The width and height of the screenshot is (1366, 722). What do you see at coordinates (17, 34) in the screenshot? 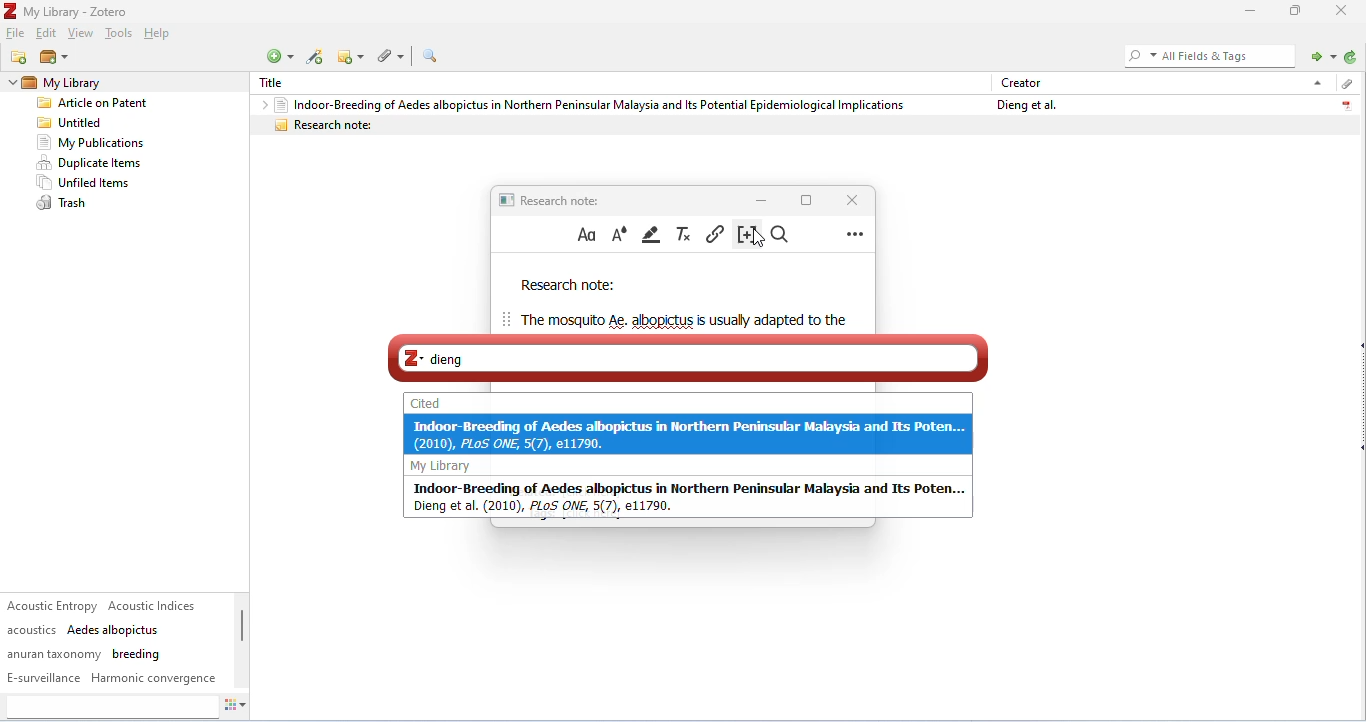
I see `file` at bounding box center [17, 34].